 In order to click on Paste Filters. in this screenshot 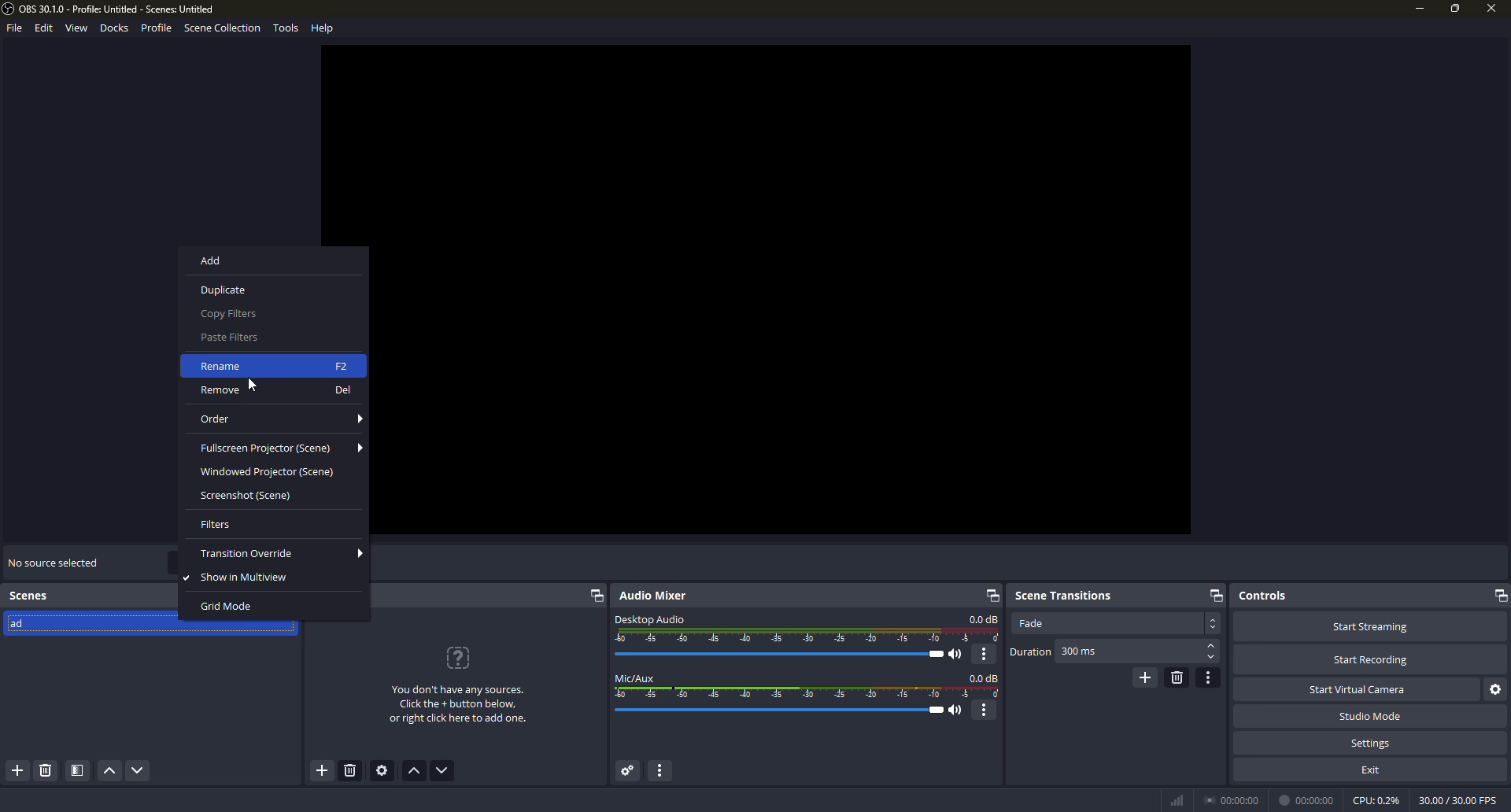, I will do `click(258, 338)`.